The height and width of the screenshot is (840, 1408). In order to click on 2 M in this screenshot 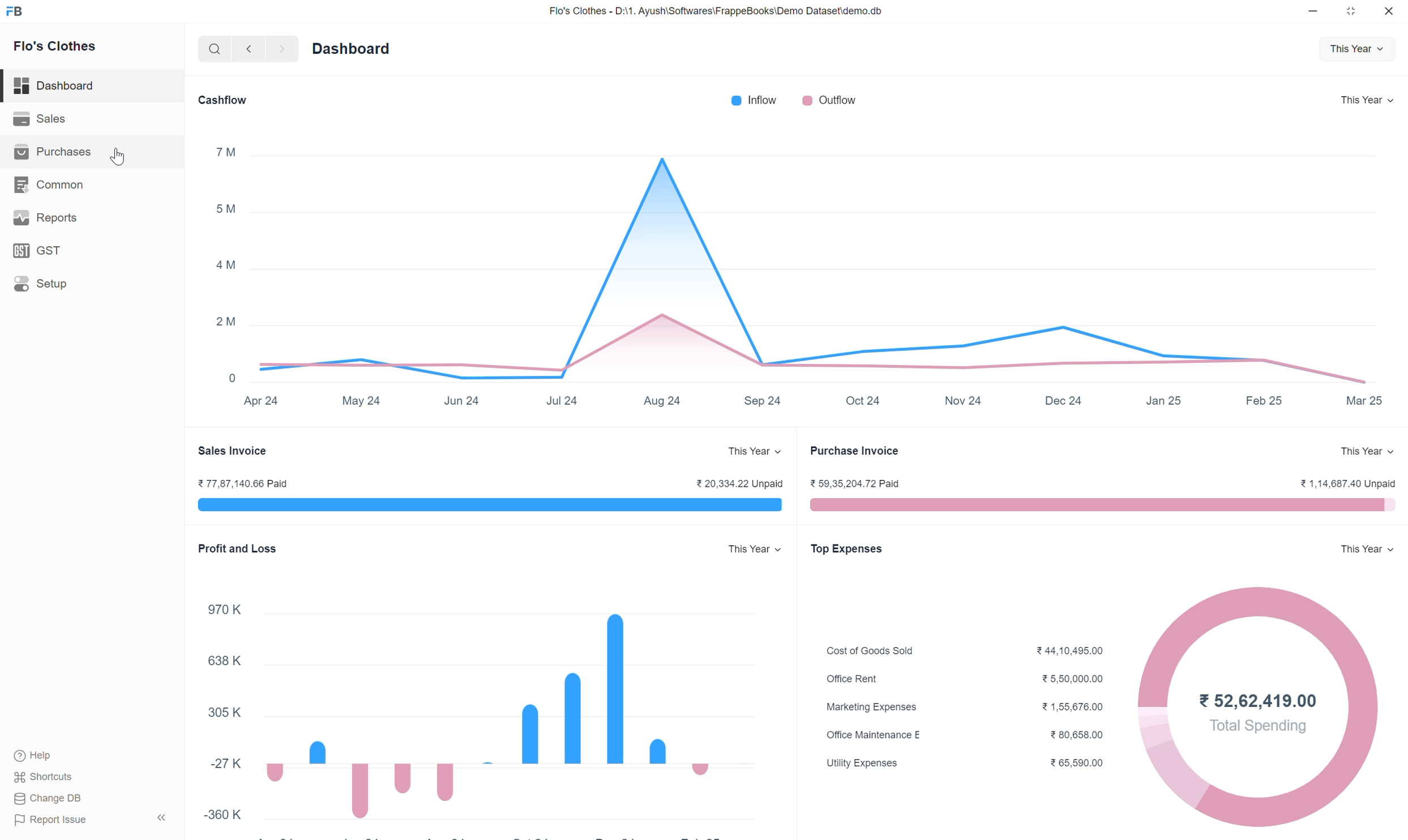, I will do `click(225, 322)`.